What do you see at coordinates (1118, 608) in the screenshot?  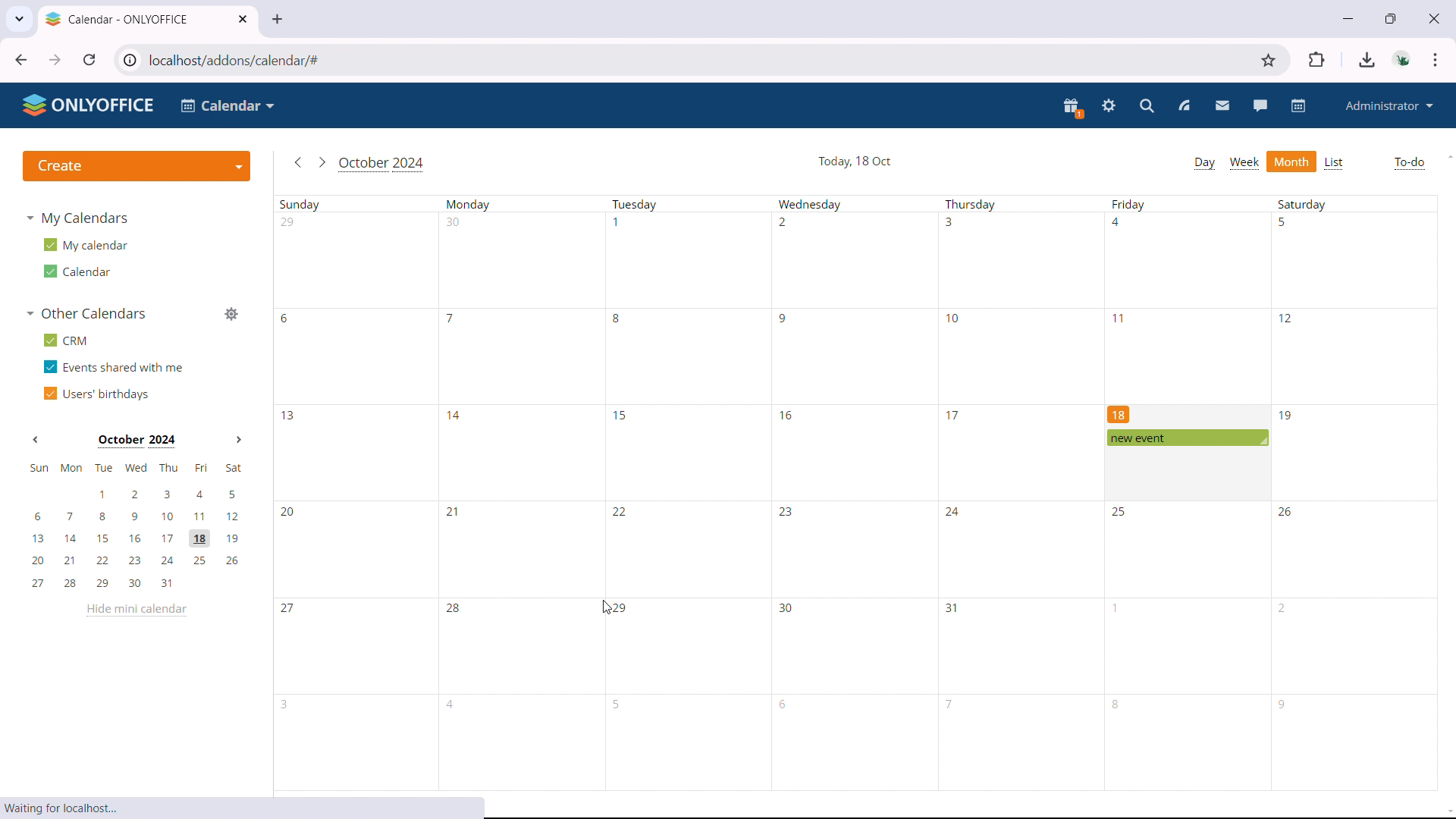 I see `1` at bounding box center [1118, 608].